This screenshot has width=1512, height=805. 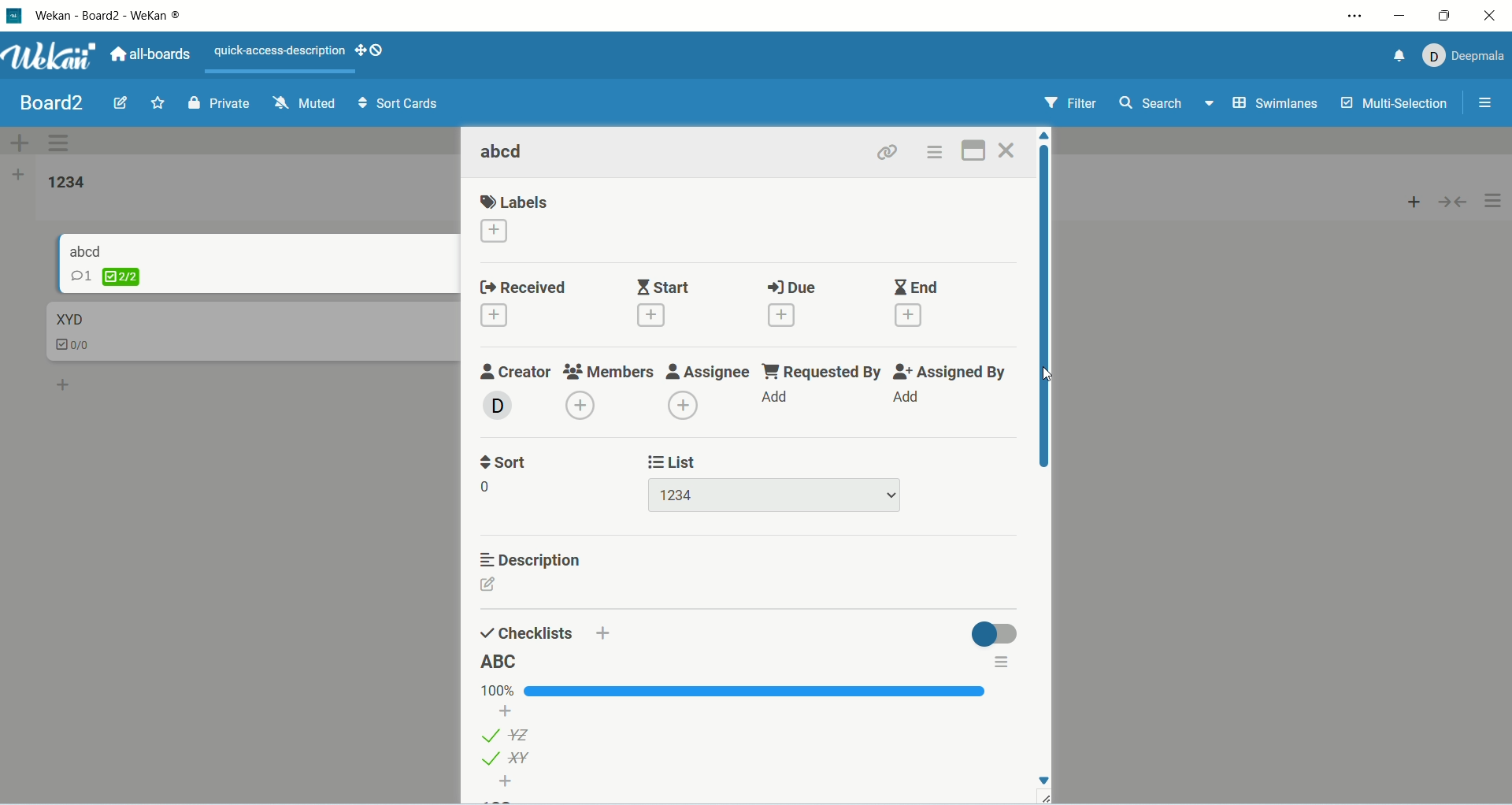 I want to click on options, so click(x=938, y=153).